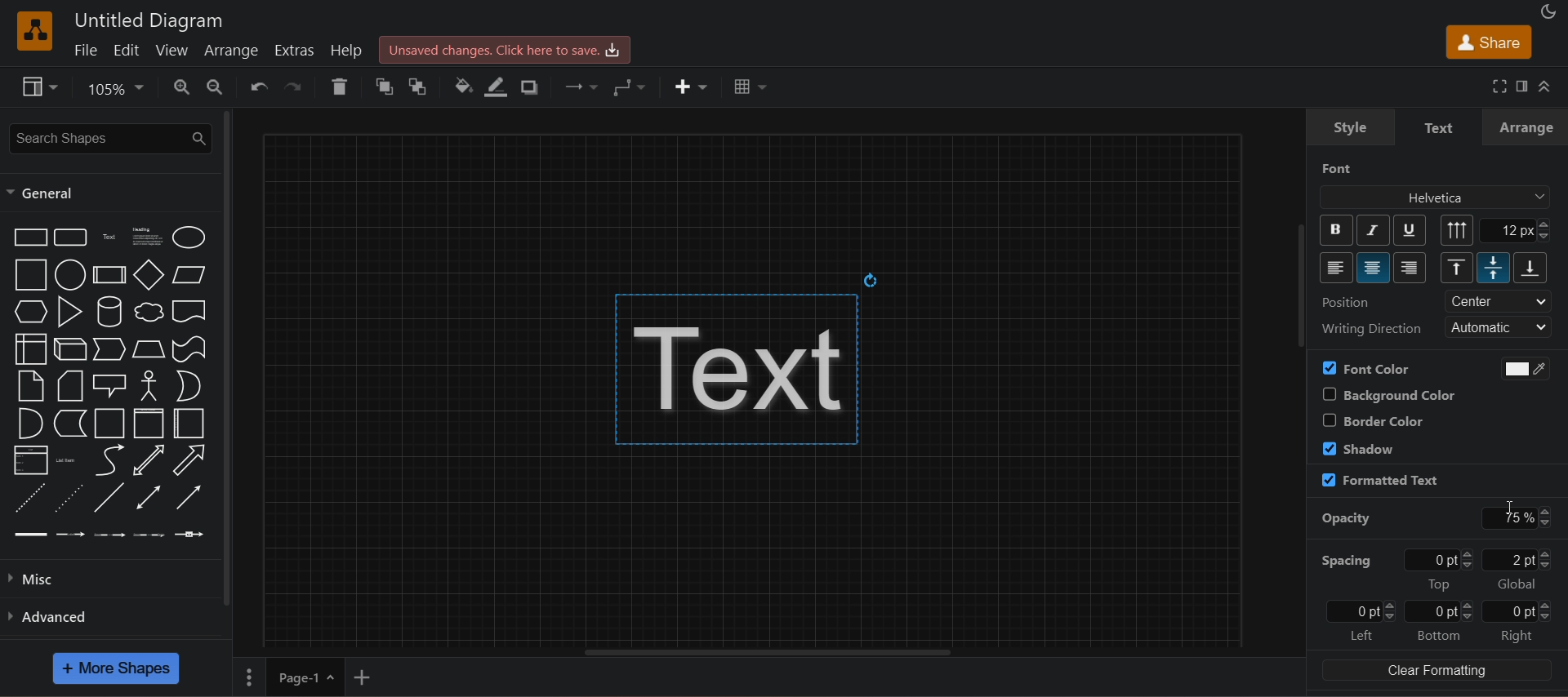  What do you see at coordinates (1487, 42) in the screenshot?
I see `share` at bounding box center [1487, 42].